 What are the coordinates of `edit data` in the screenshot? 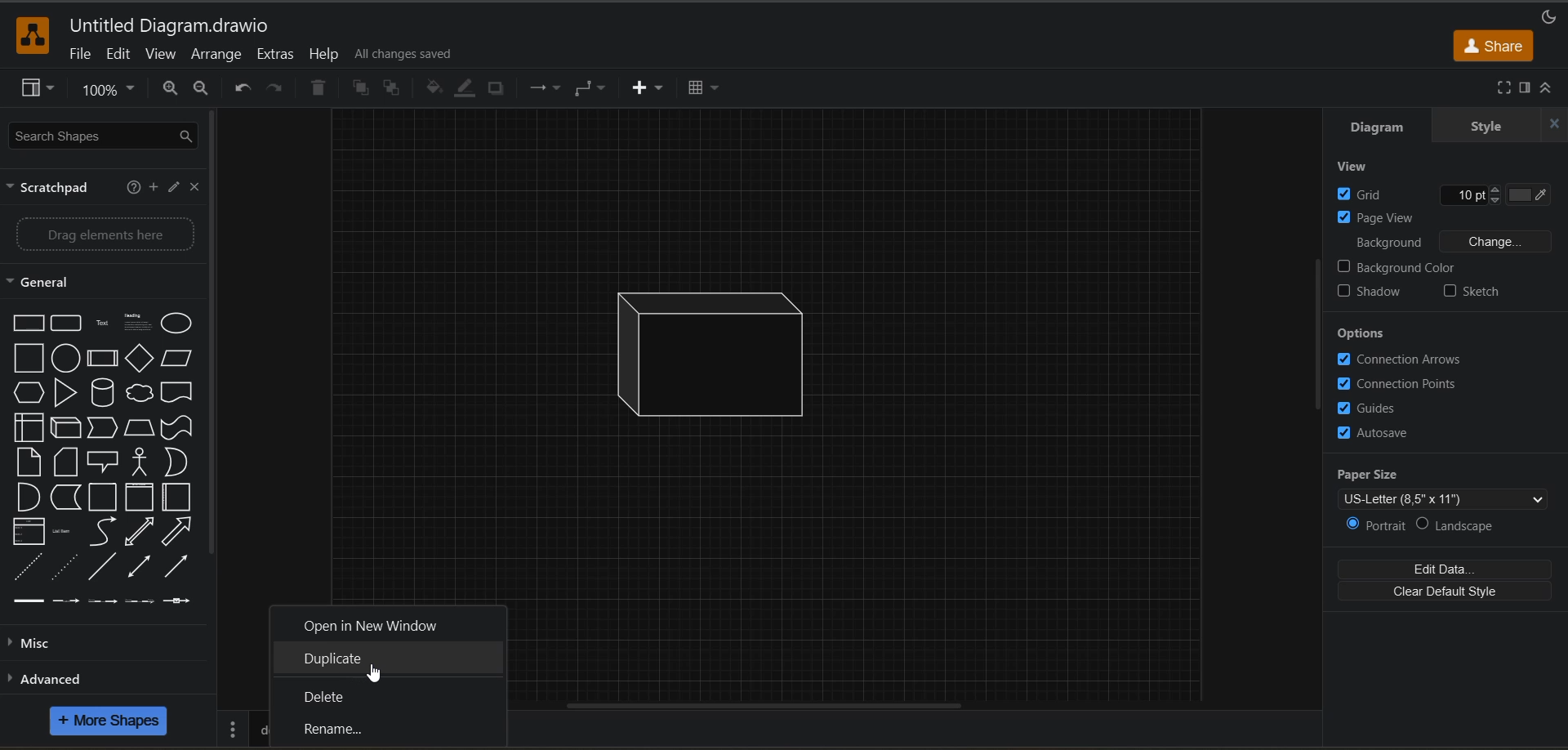 It's located at (1445, 570).